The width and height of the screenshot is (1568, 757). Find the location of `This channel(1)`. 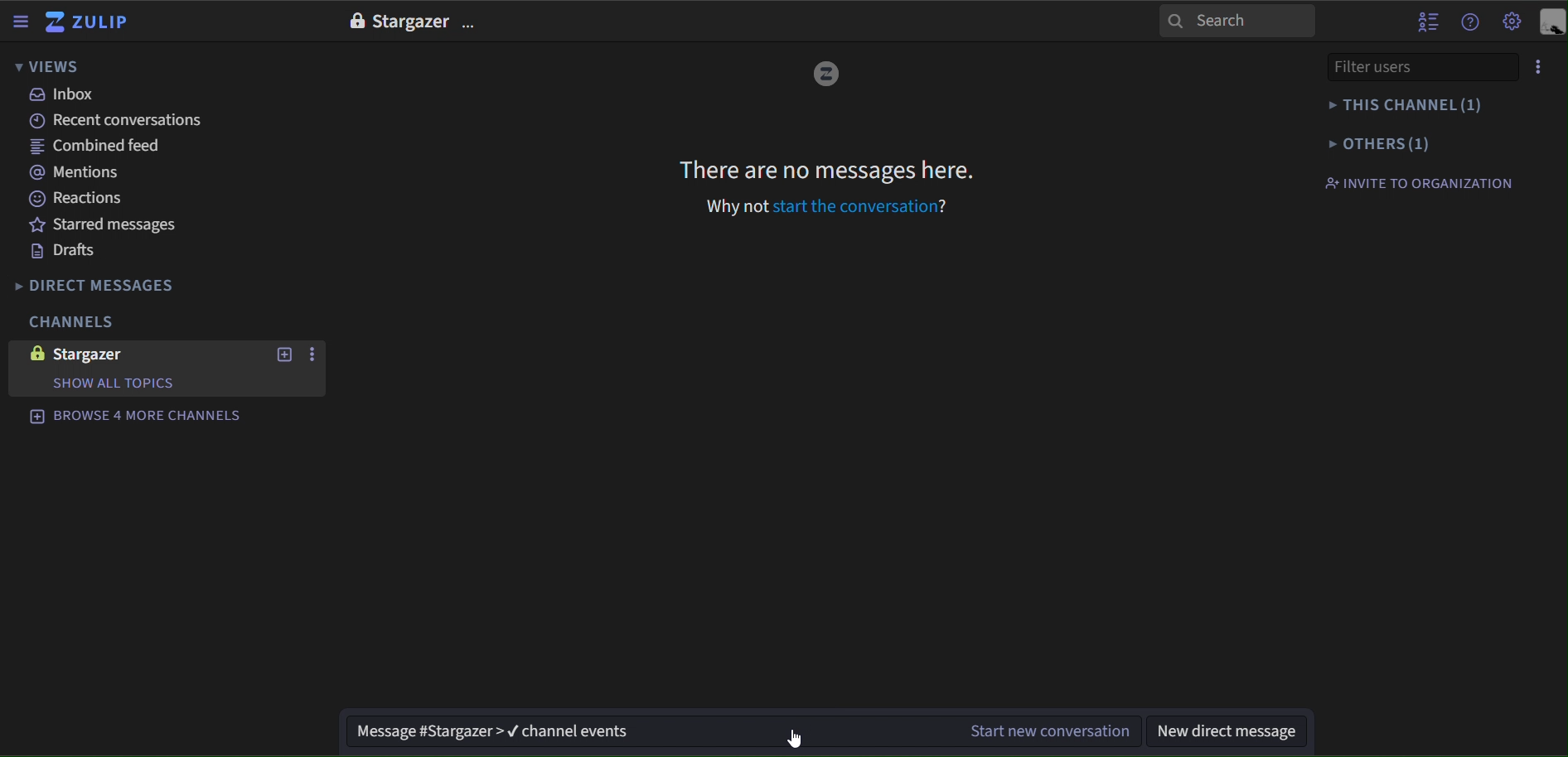

This channel(1) is located at coordinates (1412, 105).